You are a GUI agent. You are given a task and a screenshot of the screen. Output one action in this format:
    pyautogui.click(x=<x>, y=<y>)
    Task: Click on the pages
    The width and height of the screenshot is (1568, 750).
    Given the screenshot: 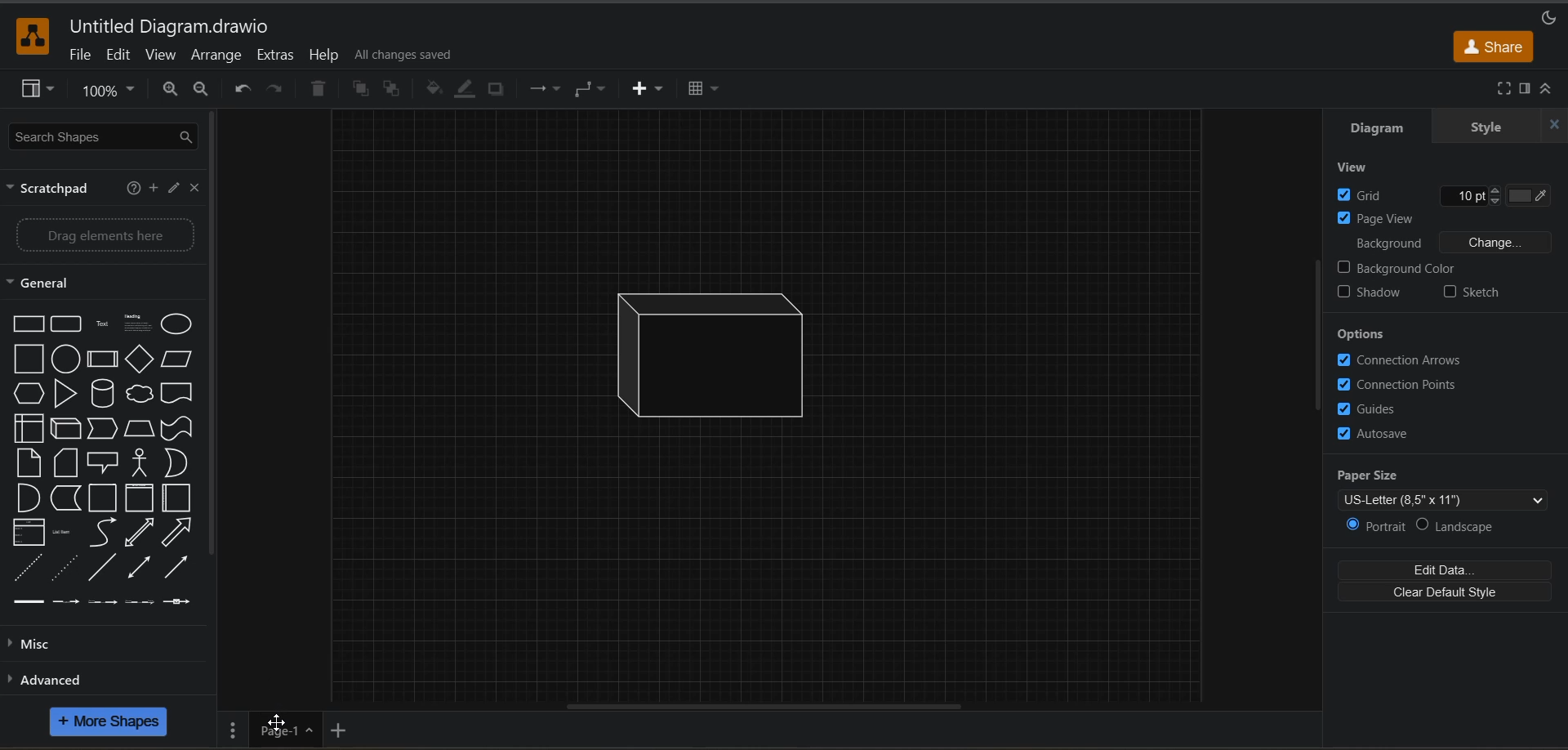 What is the action you would take?
    pyautogui.click(x=238, y=730)
    